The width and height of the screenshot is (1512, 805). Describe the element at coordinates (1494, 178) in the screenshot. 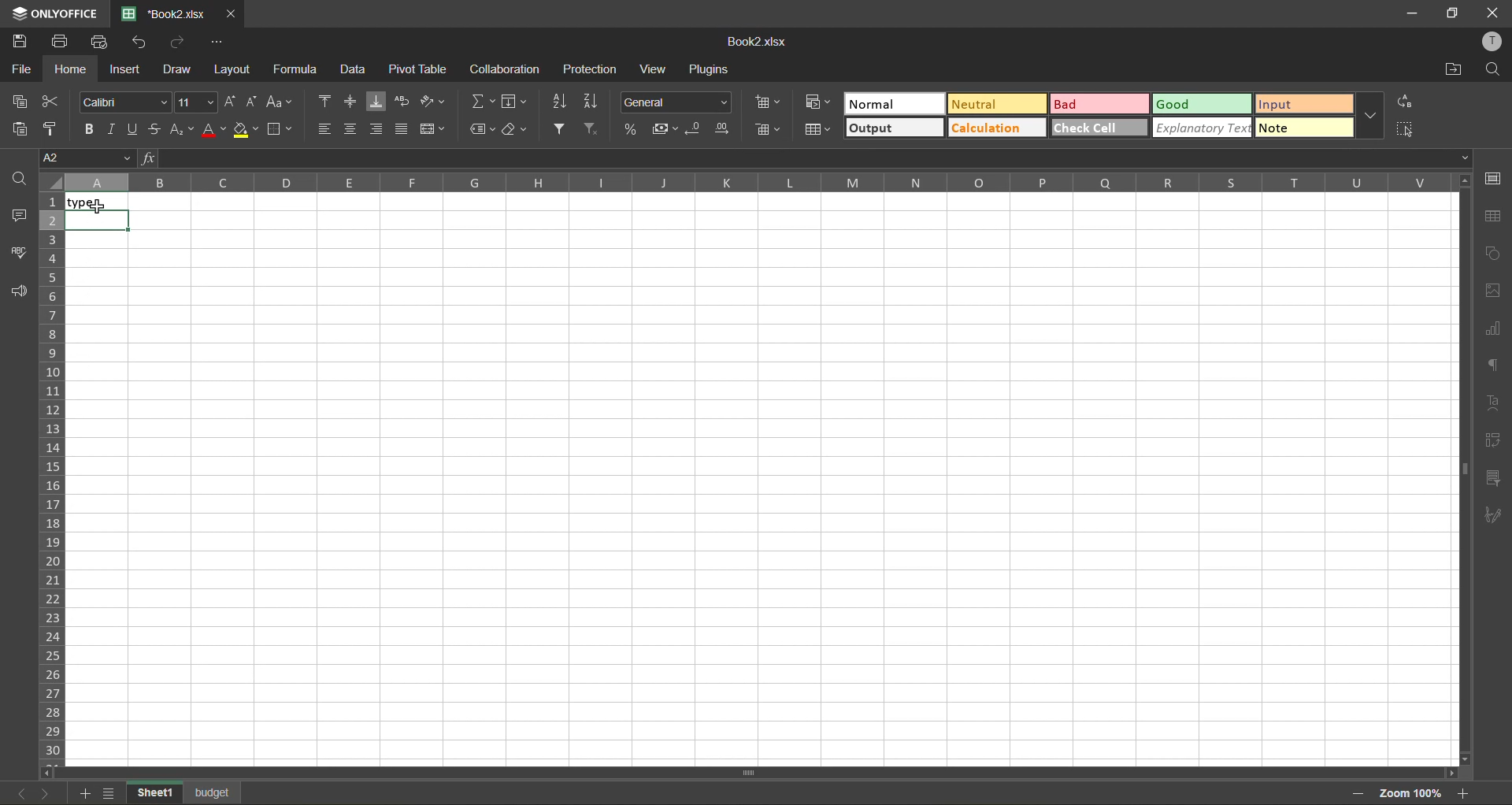

I see `cell settings` at that location.